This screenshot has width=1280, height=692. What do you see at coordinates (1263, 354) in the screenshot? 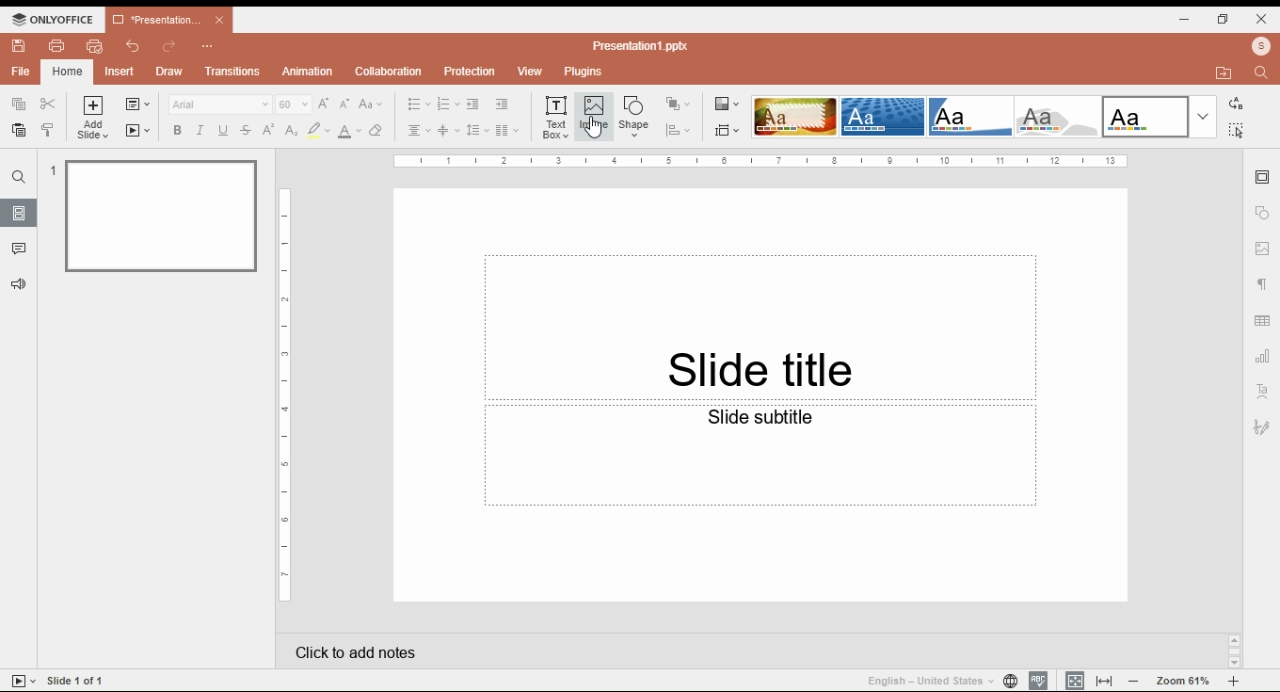
I see `charts  settings` at bounding box center [1263, 354].